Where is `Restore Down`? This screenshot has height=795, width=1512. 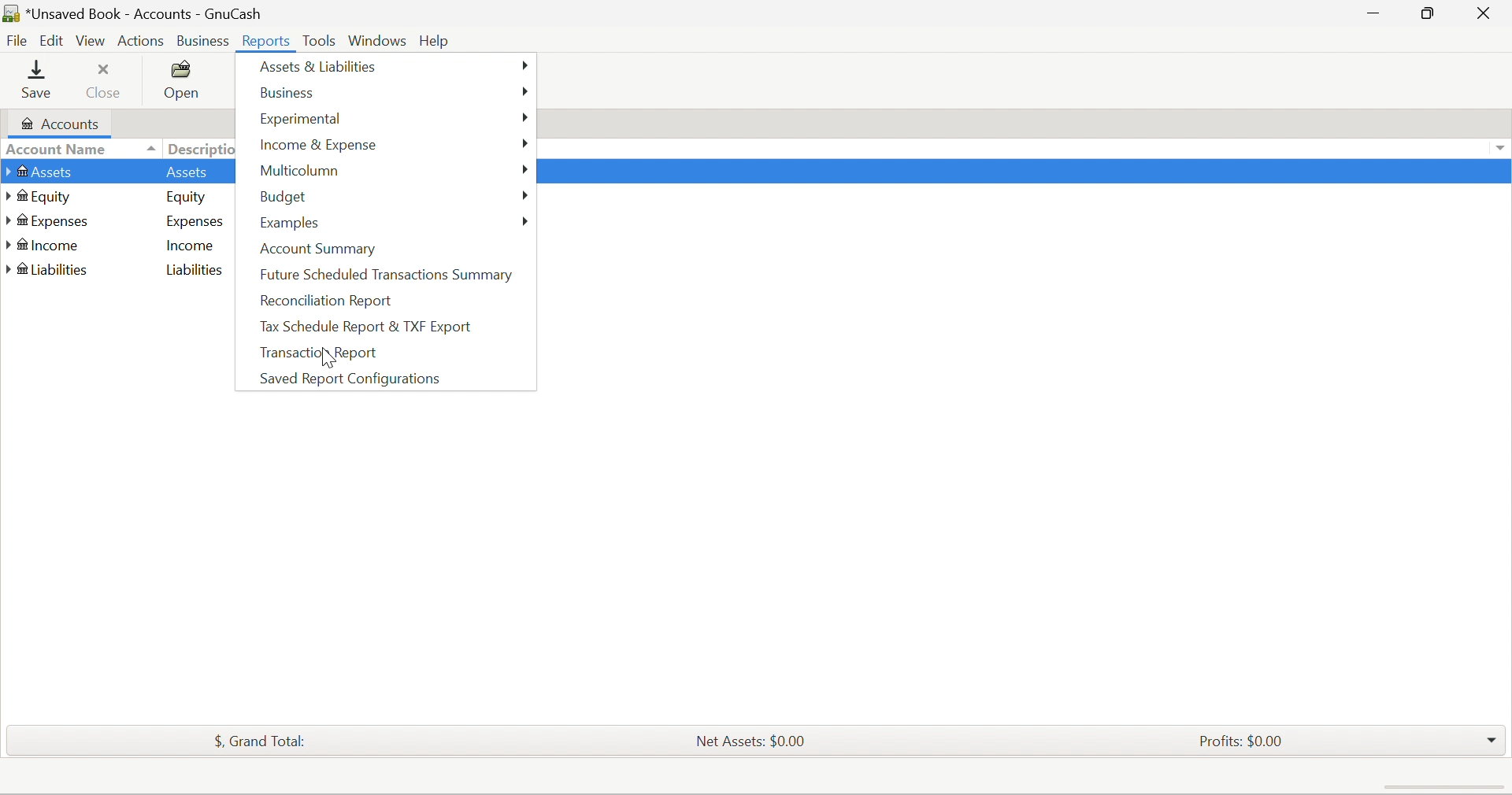 Restore Down is located at coordinates (1425, 14).